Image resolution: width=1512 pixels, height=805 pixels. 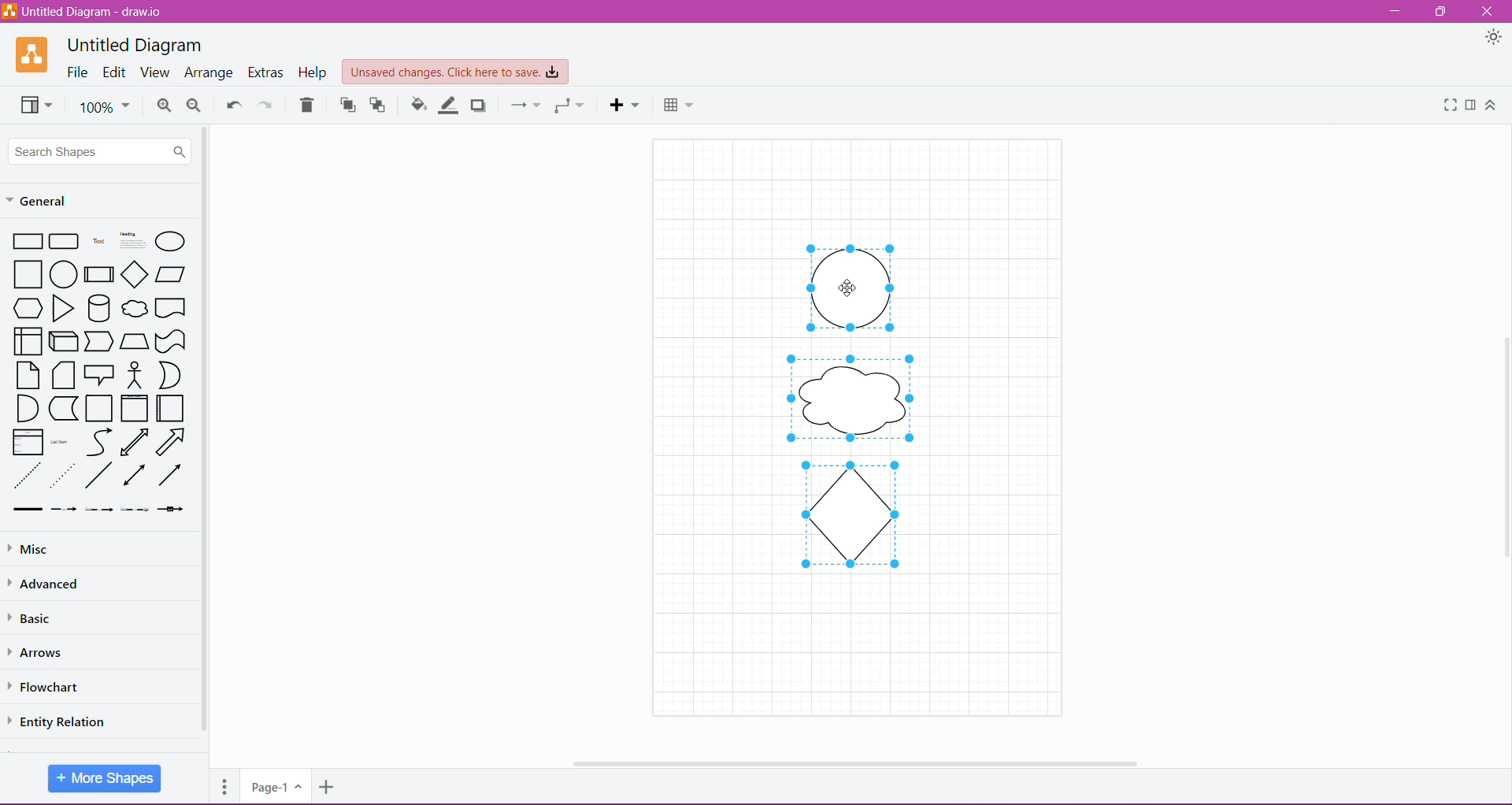 I want to click on General, so click(x=47, y=199).